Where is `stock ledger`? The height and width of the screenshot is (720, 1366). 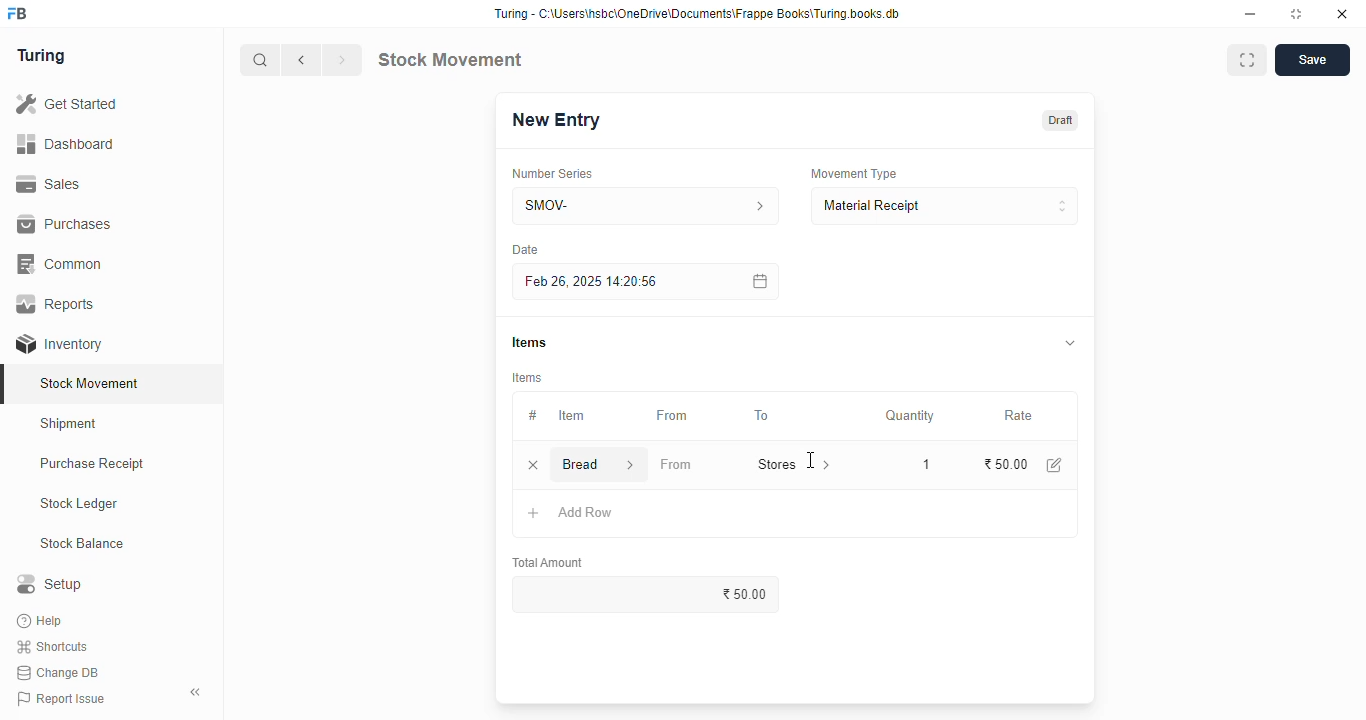
stock ledger is located at coordinates (80, 504).